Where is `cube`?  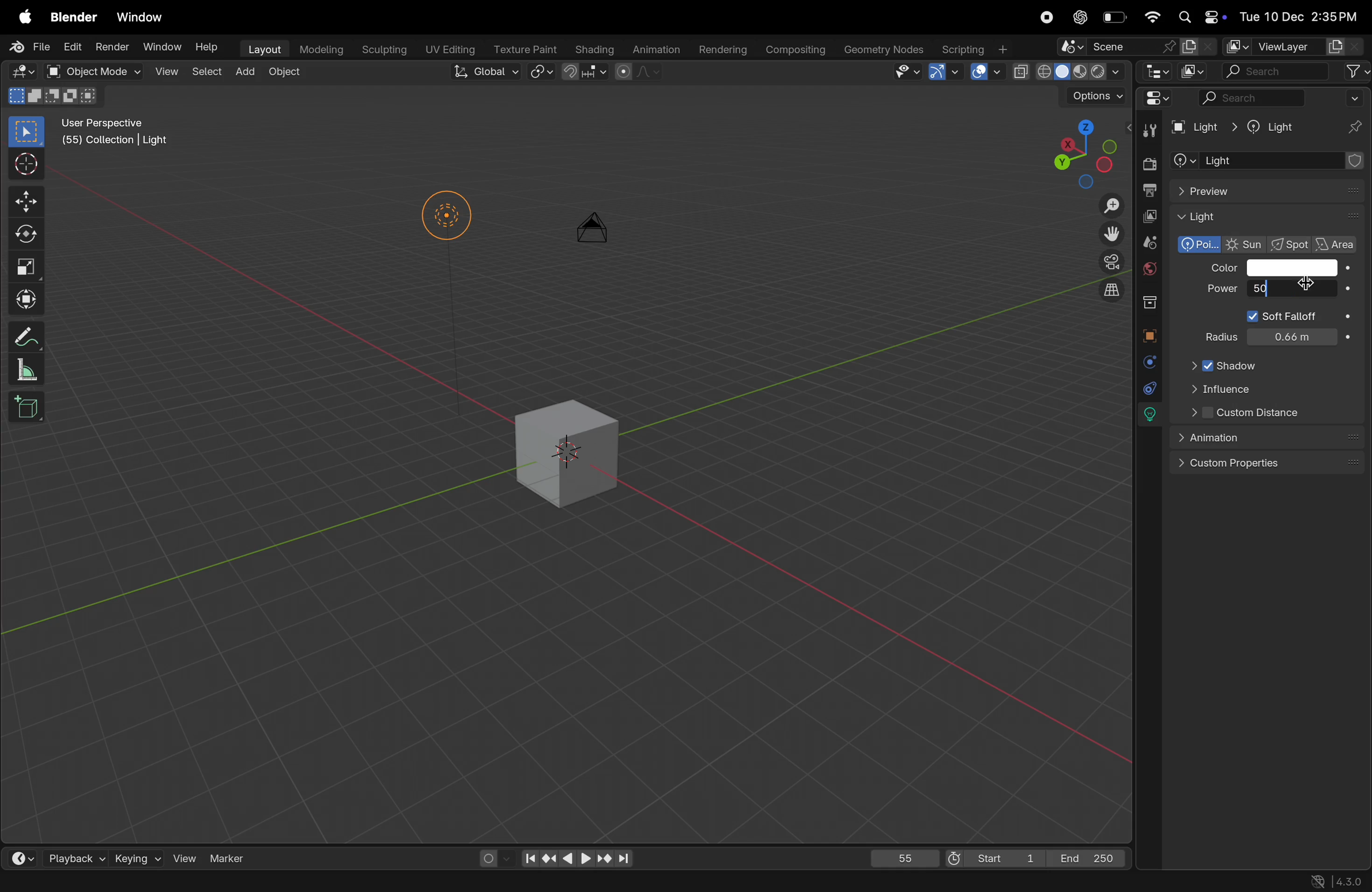
cube is located at coordinates (30, 411).